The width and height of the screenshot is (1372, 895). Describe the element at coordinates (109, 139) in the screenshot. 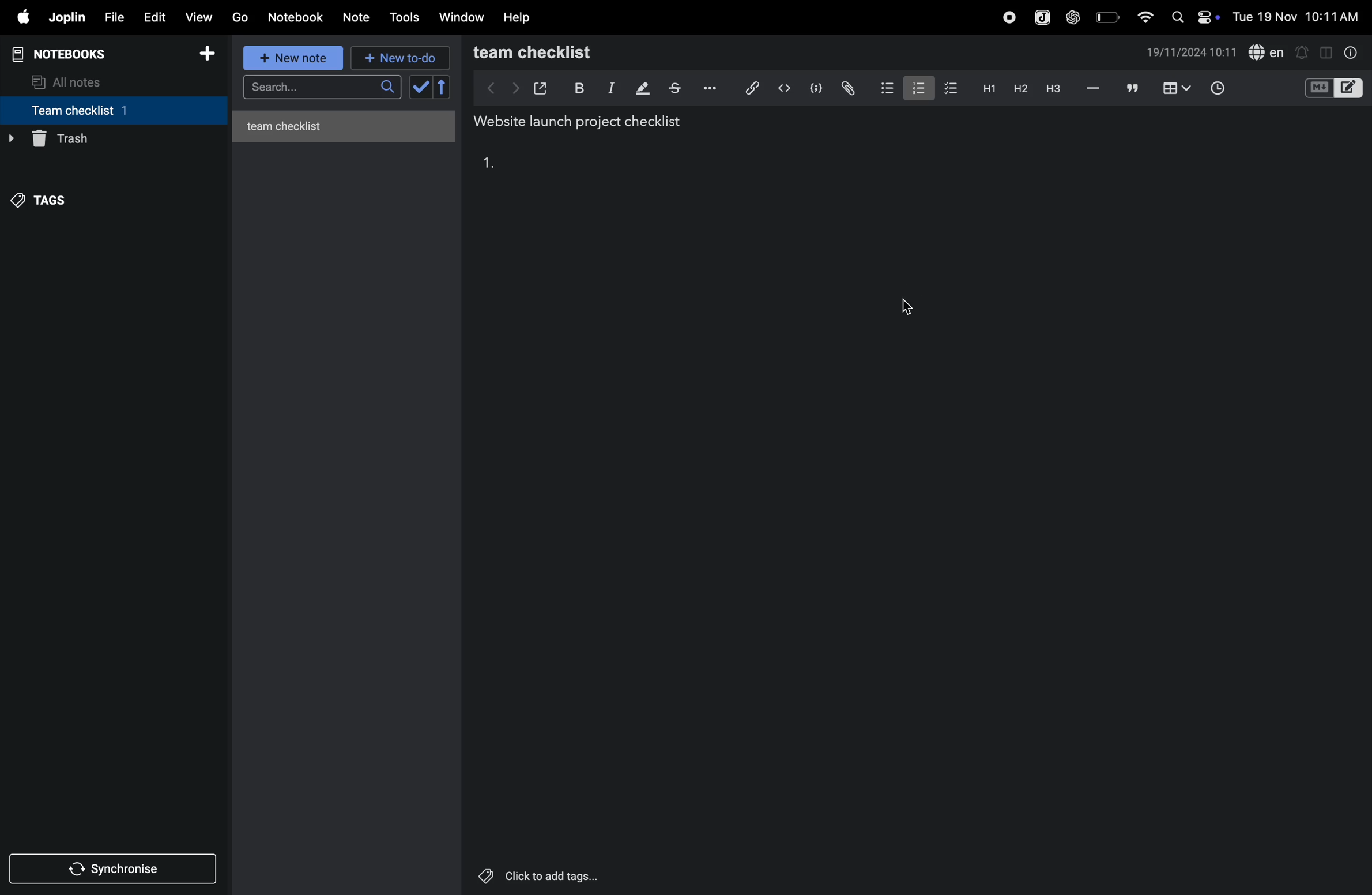

I see `trash` at that location.